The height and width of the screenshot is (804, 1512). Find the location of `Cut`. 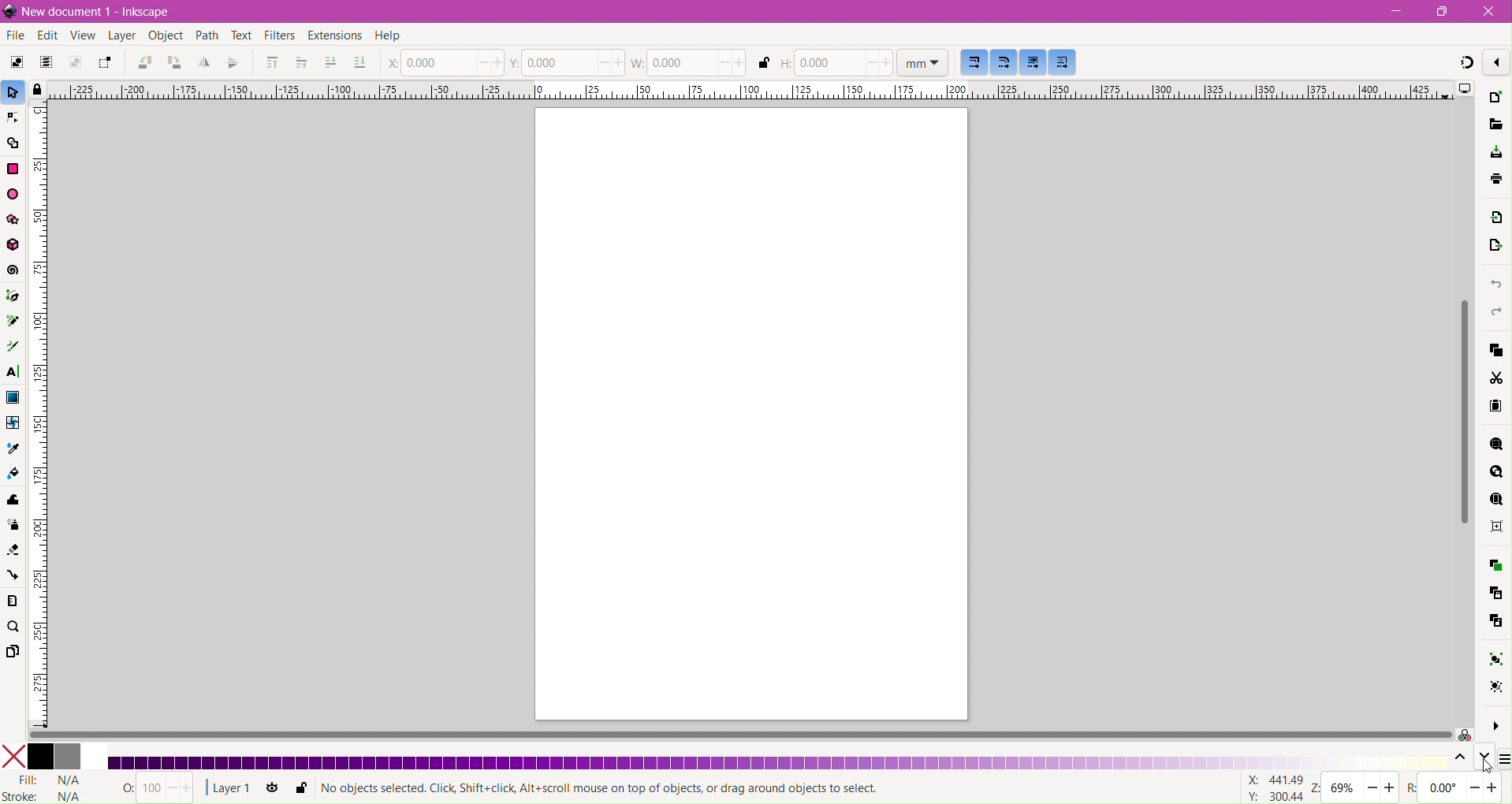

Cut is located at coordinates (1496, 378).